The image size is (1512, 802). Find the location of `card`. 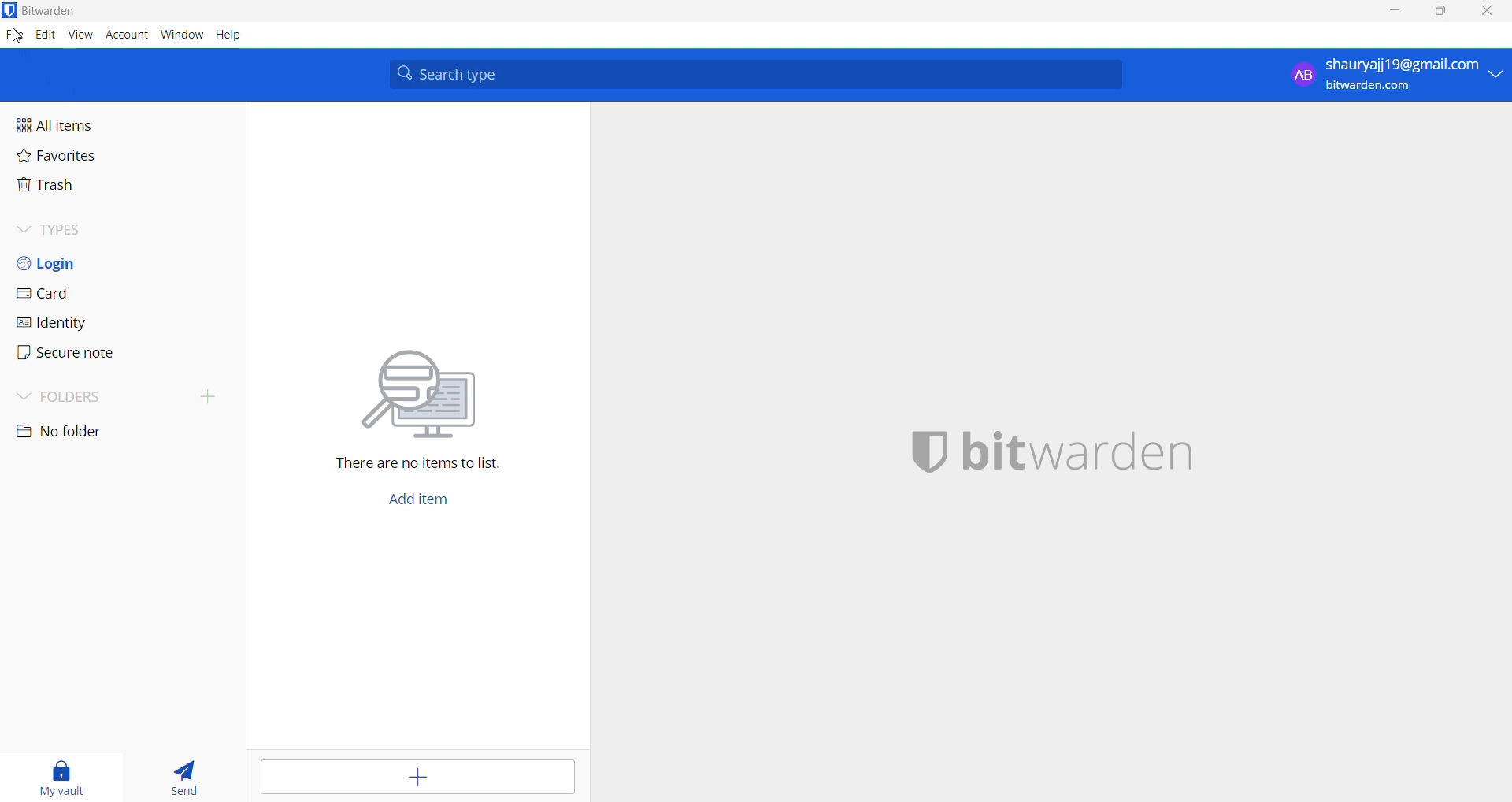

card is located at coordinates (125, 291).